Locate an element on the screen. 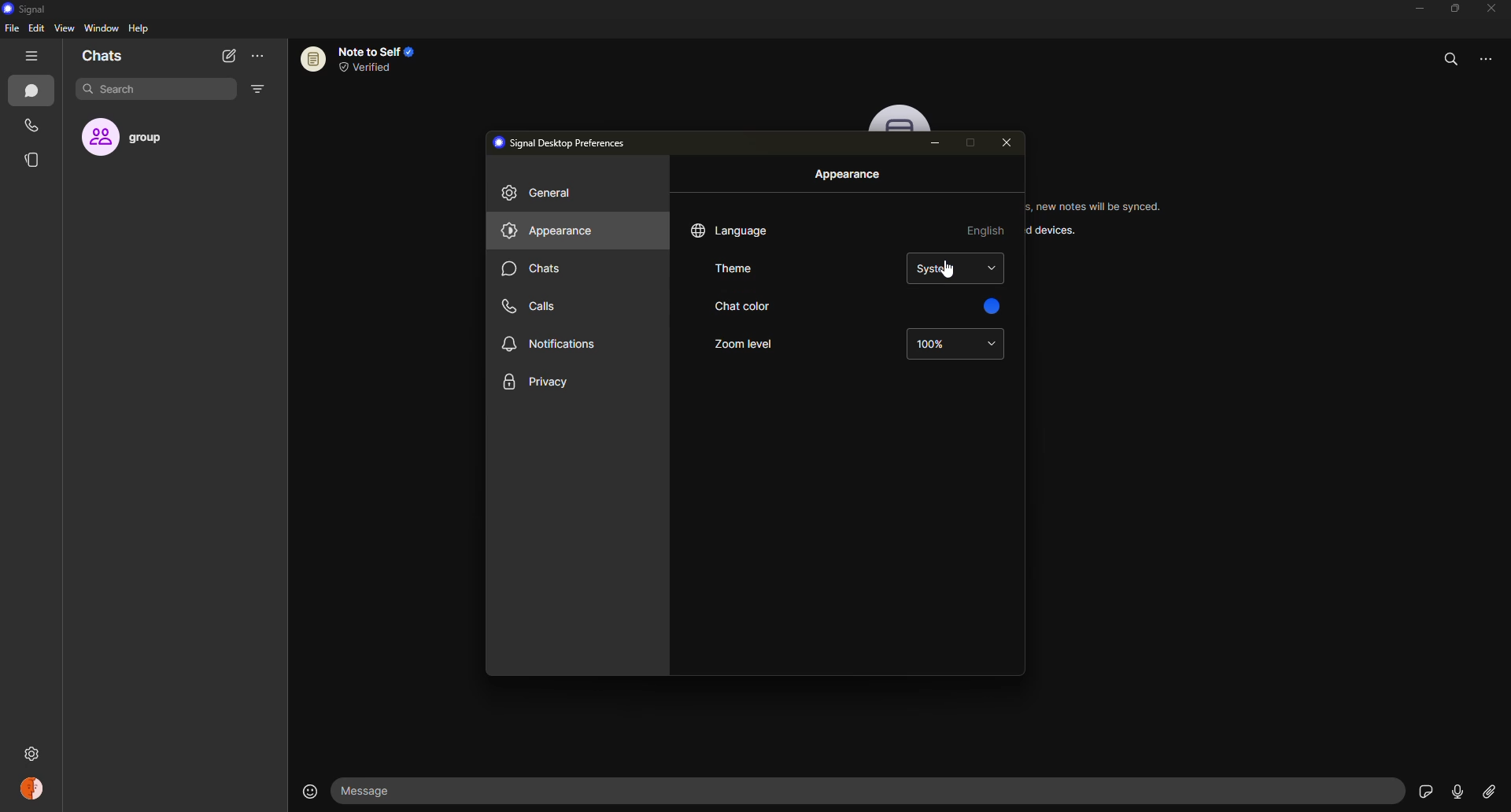 This screenshot has width=1511, height=812. attach is located at coordinates (1487, 791).